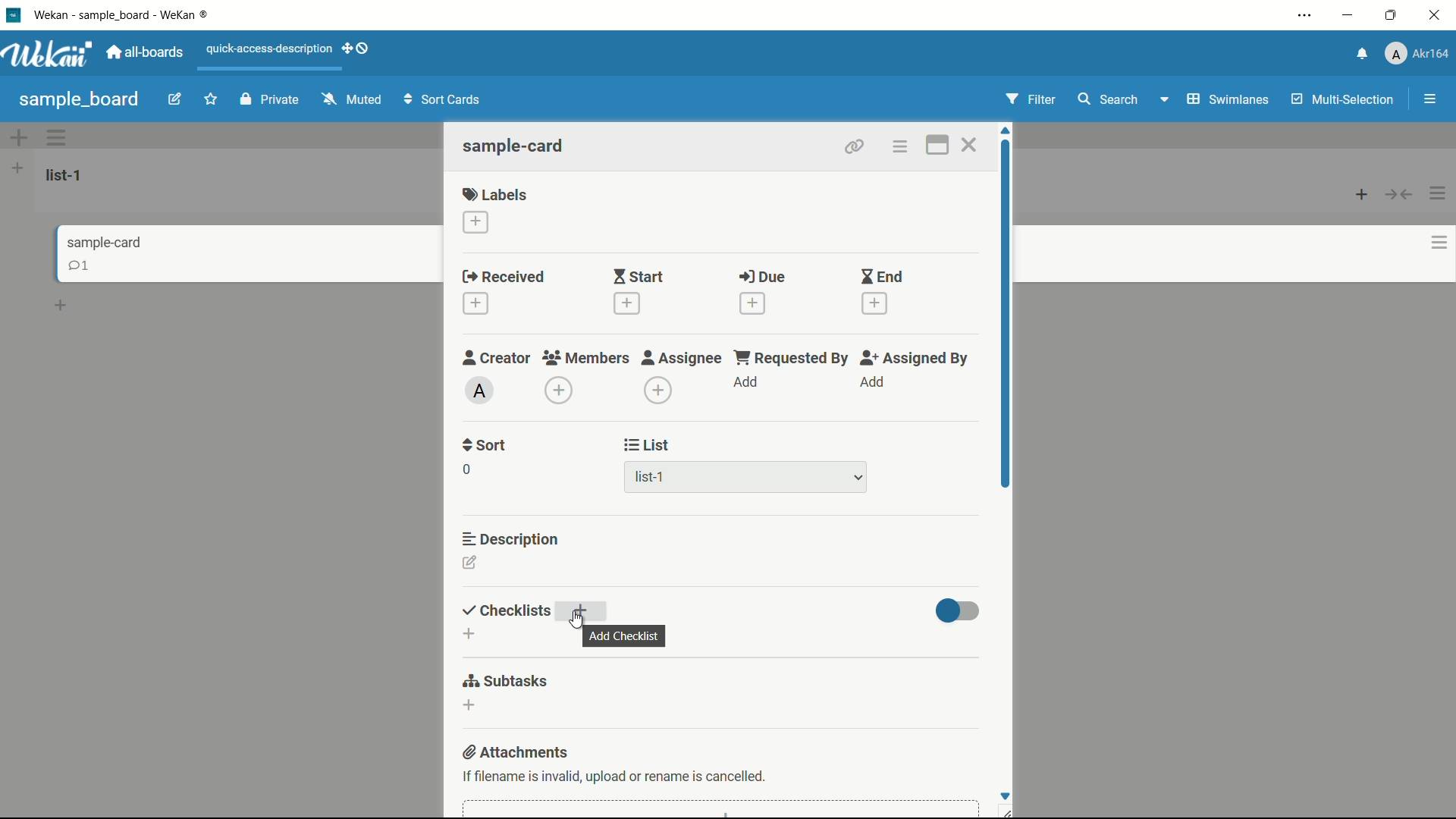 The height and width of the screenshot is (819, 1456). I want to click on members, so click(588, 359).